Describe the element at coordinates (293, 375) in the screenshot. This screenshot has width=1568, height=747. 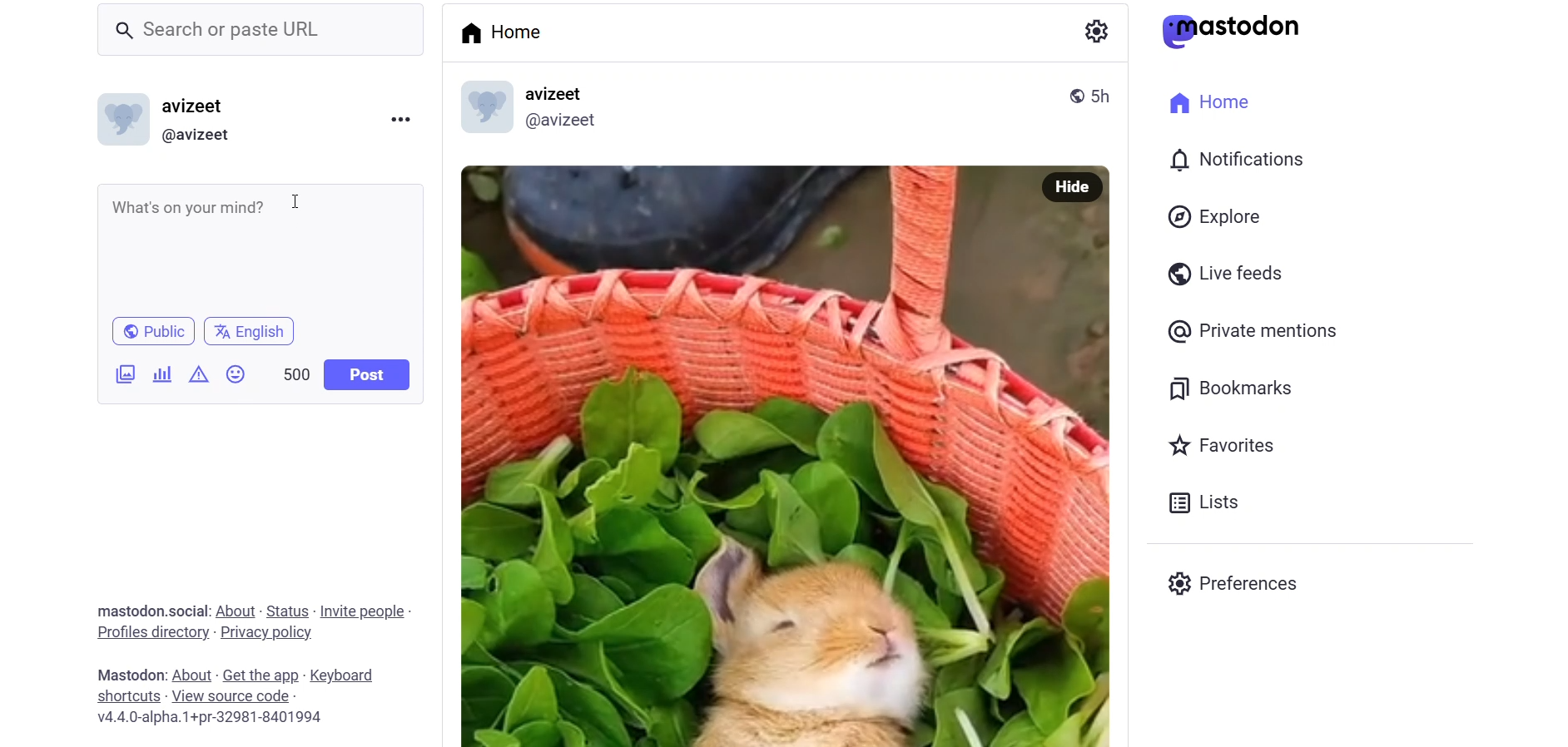
I see `word limit` at that location.